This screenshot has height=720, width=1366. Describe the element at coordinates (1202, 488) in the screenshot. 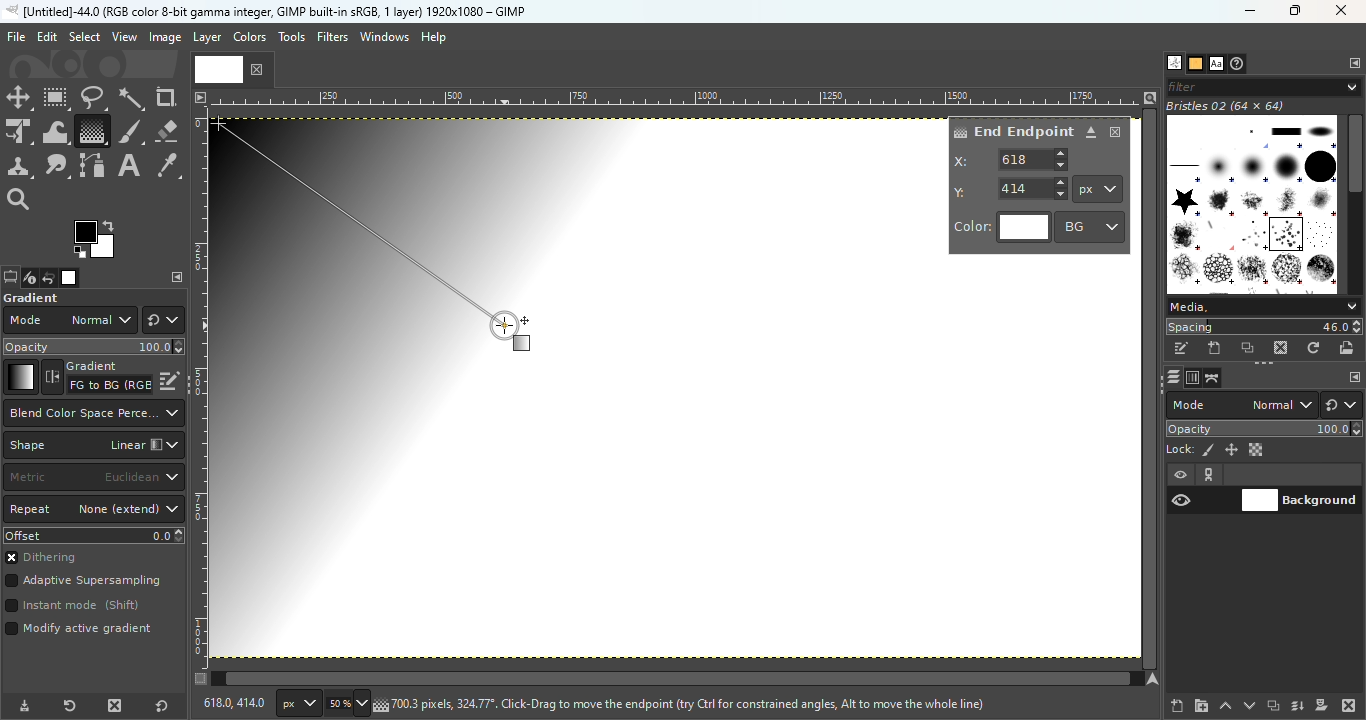

I see `View/Hide` at that location.